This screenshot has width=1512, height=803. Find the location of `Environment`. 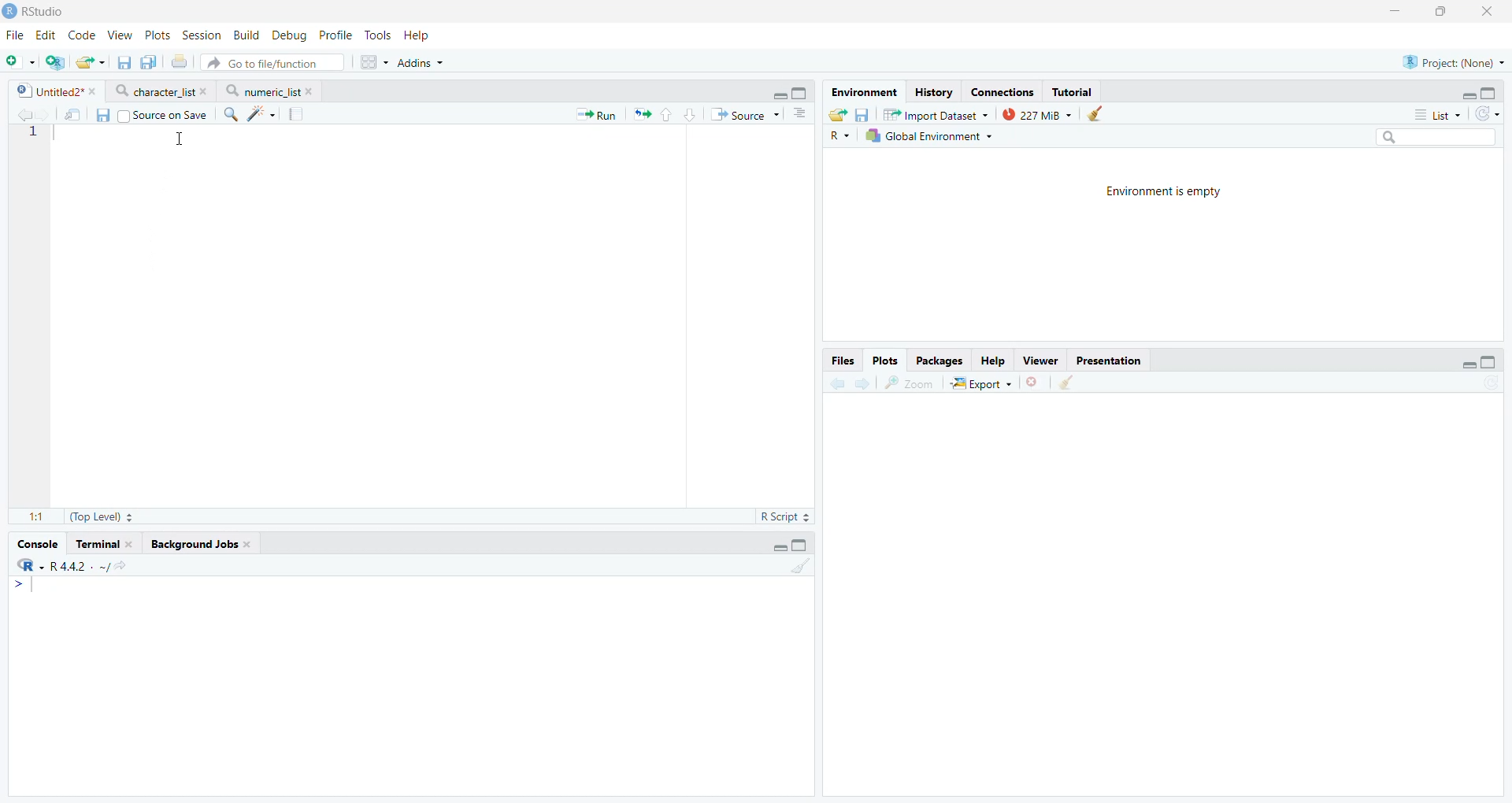

Environment is located at coordinates (863, 92).